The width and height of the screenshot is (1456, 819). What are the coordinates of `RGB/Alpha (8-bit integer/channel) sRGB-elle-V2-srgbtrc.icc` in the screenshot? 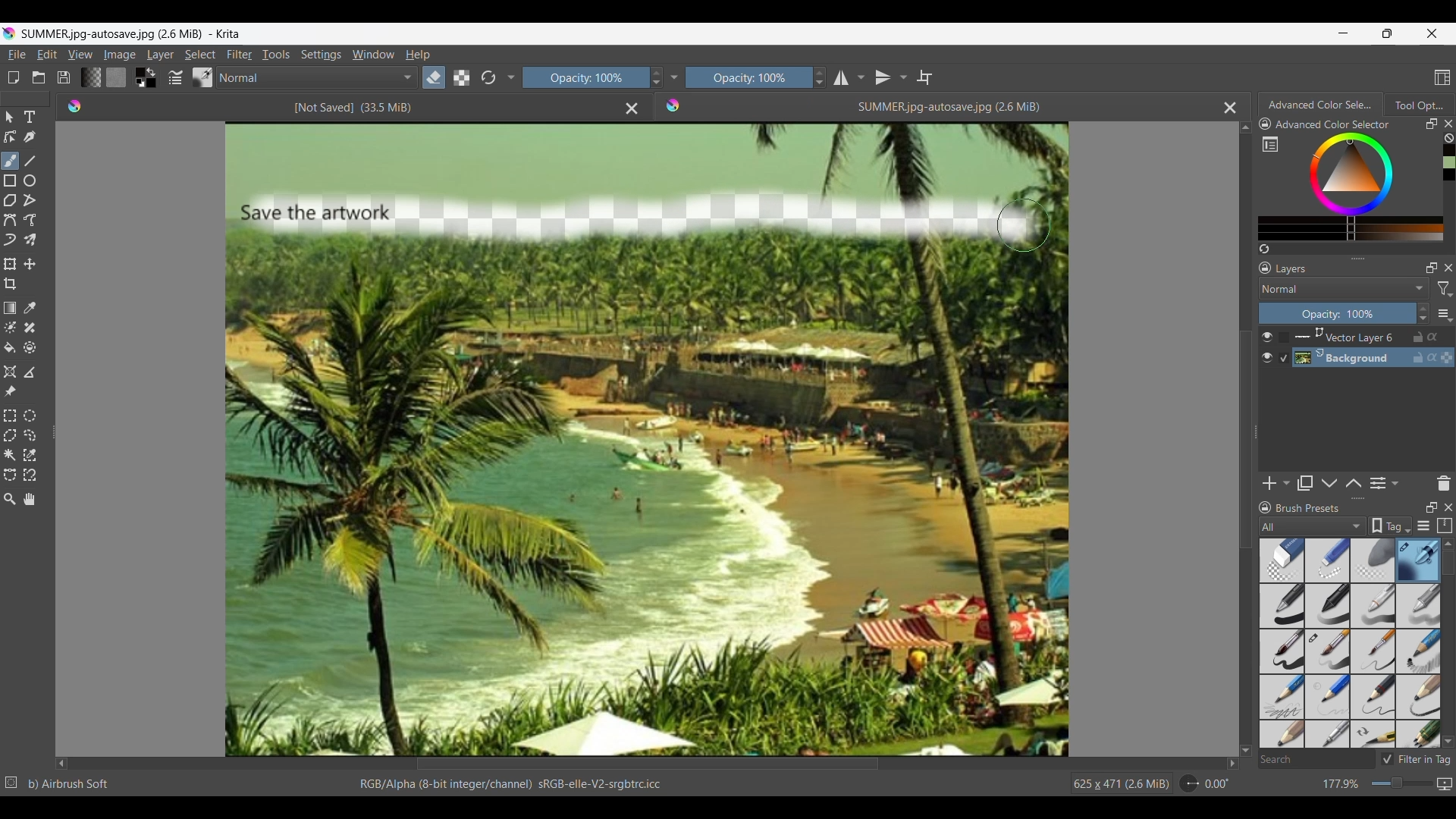 It's located at (508, 785).